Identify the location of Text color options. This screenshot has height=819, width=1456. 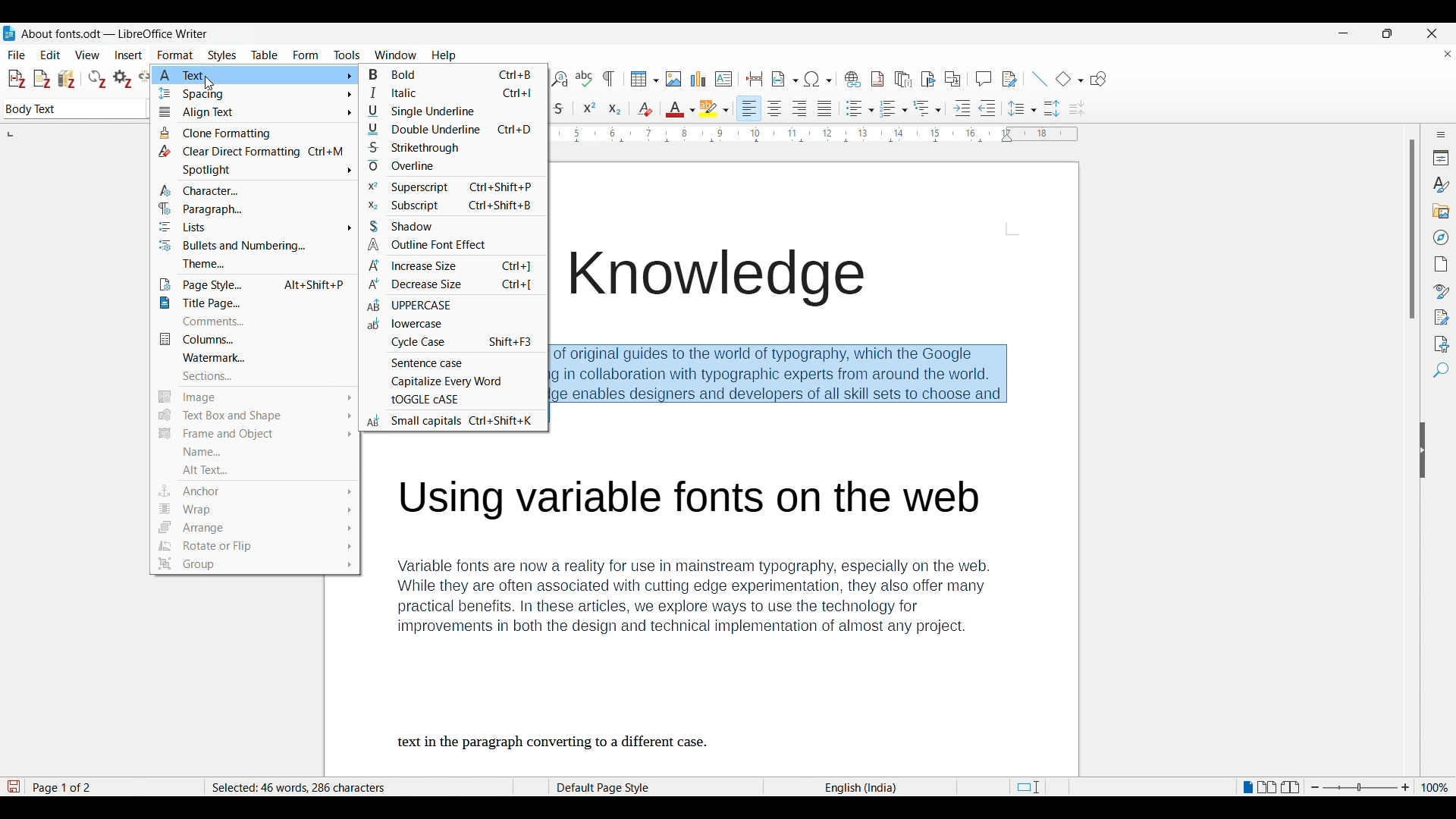
(681, 108).